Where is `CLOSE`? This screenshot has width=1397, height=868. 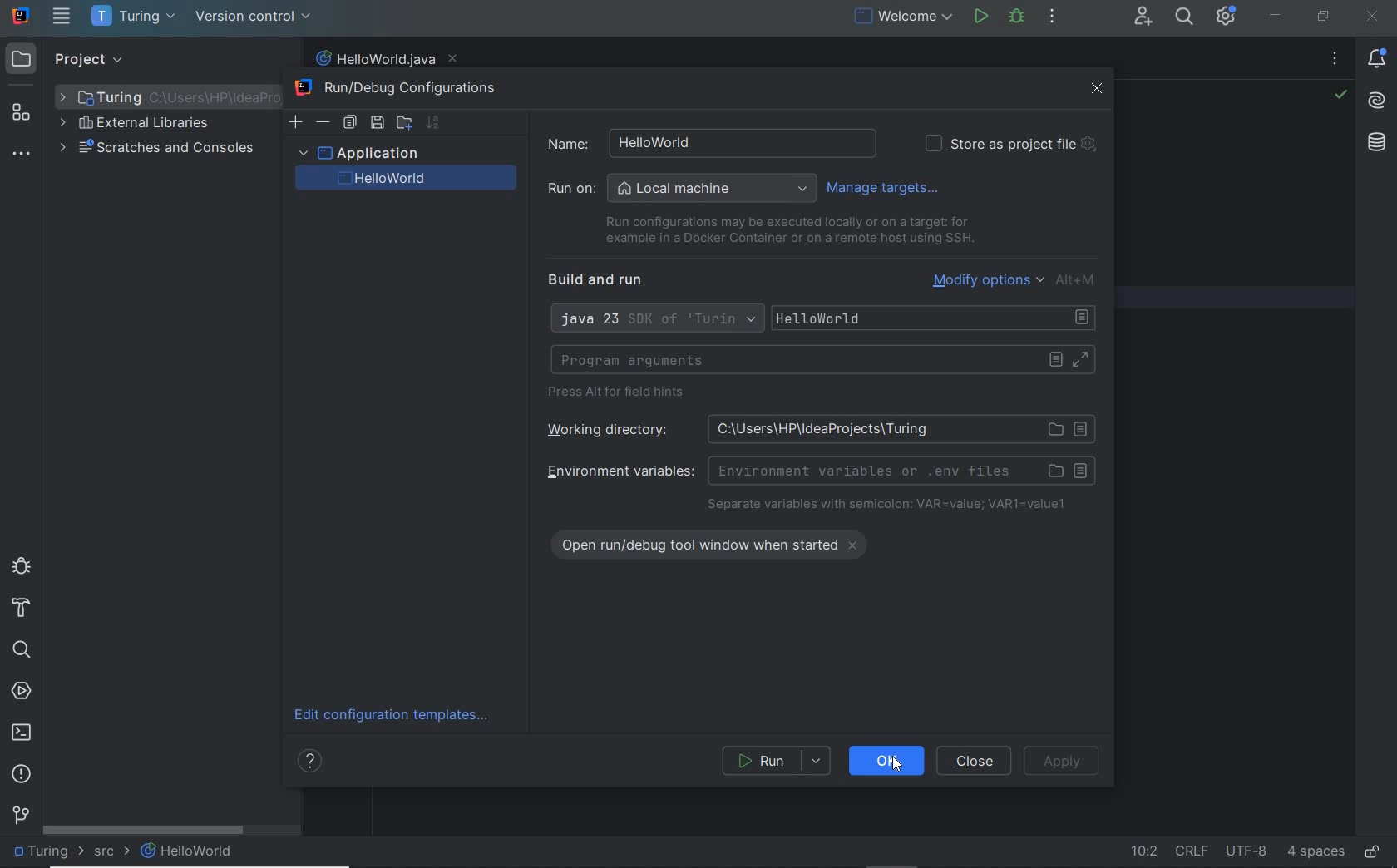
CLOSE is located at coordinates (1098, 89).